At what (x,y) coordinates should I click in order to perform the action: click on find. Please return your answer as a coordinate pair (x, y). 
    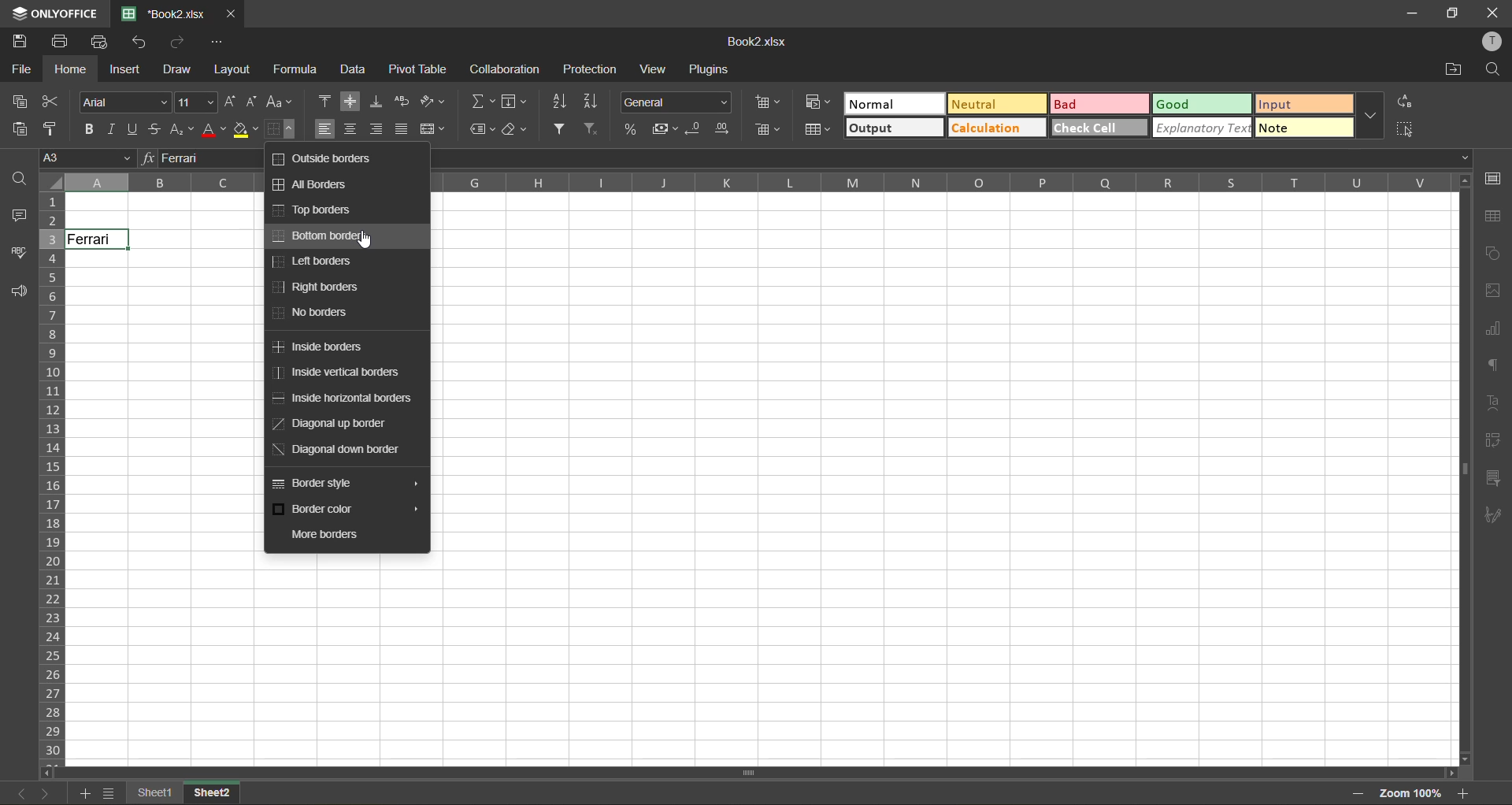
    Looking at the image, I should click on (1495, 71).